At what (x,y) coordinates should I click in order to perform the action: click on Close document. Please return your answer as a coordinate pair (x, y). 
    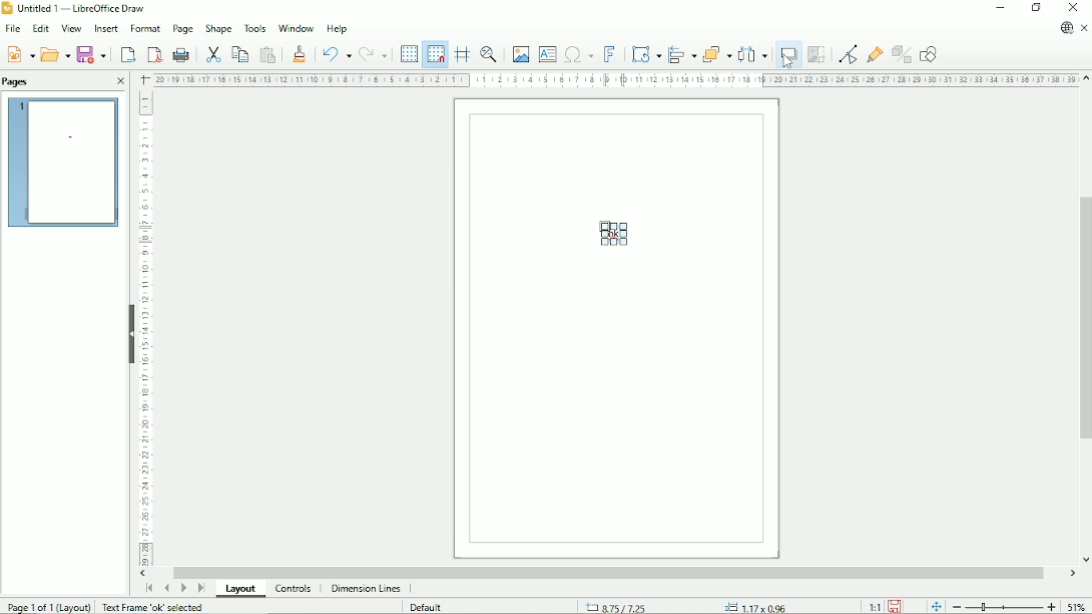
    Looking at the image, I should click on (1085, 27).